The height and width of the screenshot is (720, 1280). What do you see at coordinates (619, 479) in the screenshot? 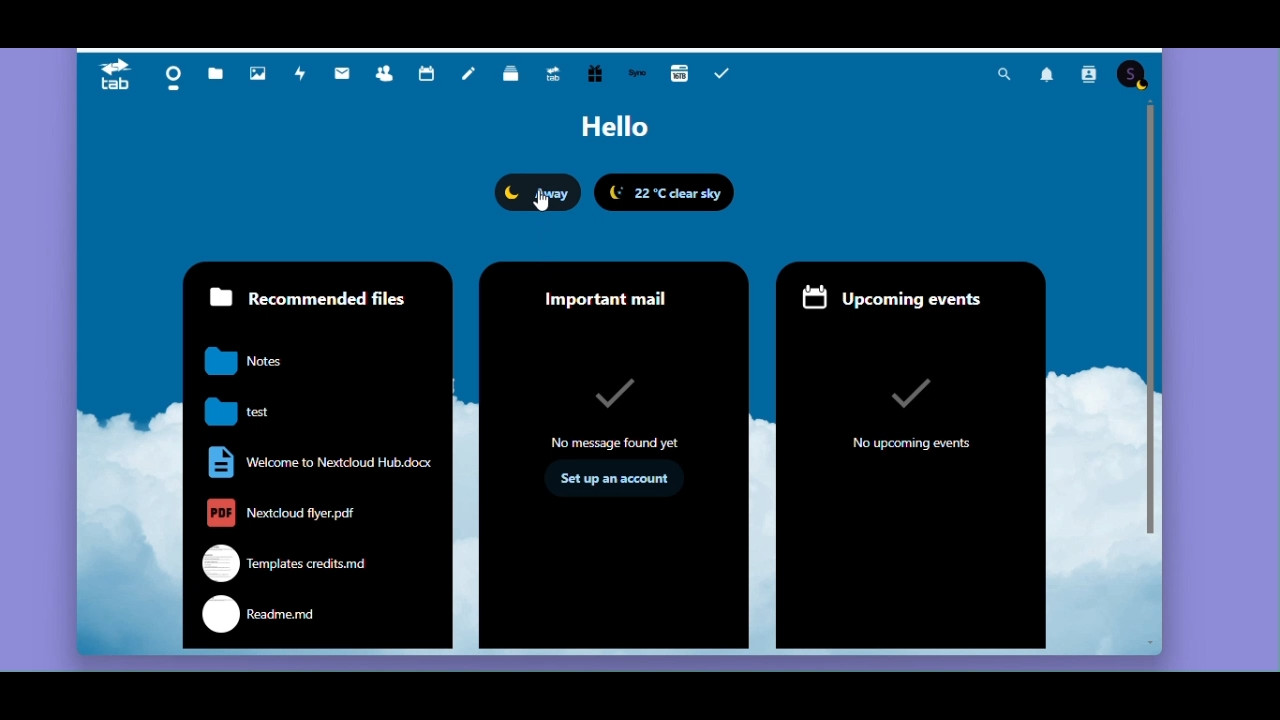
I see `set up an account` at bounding box center [619, 479].